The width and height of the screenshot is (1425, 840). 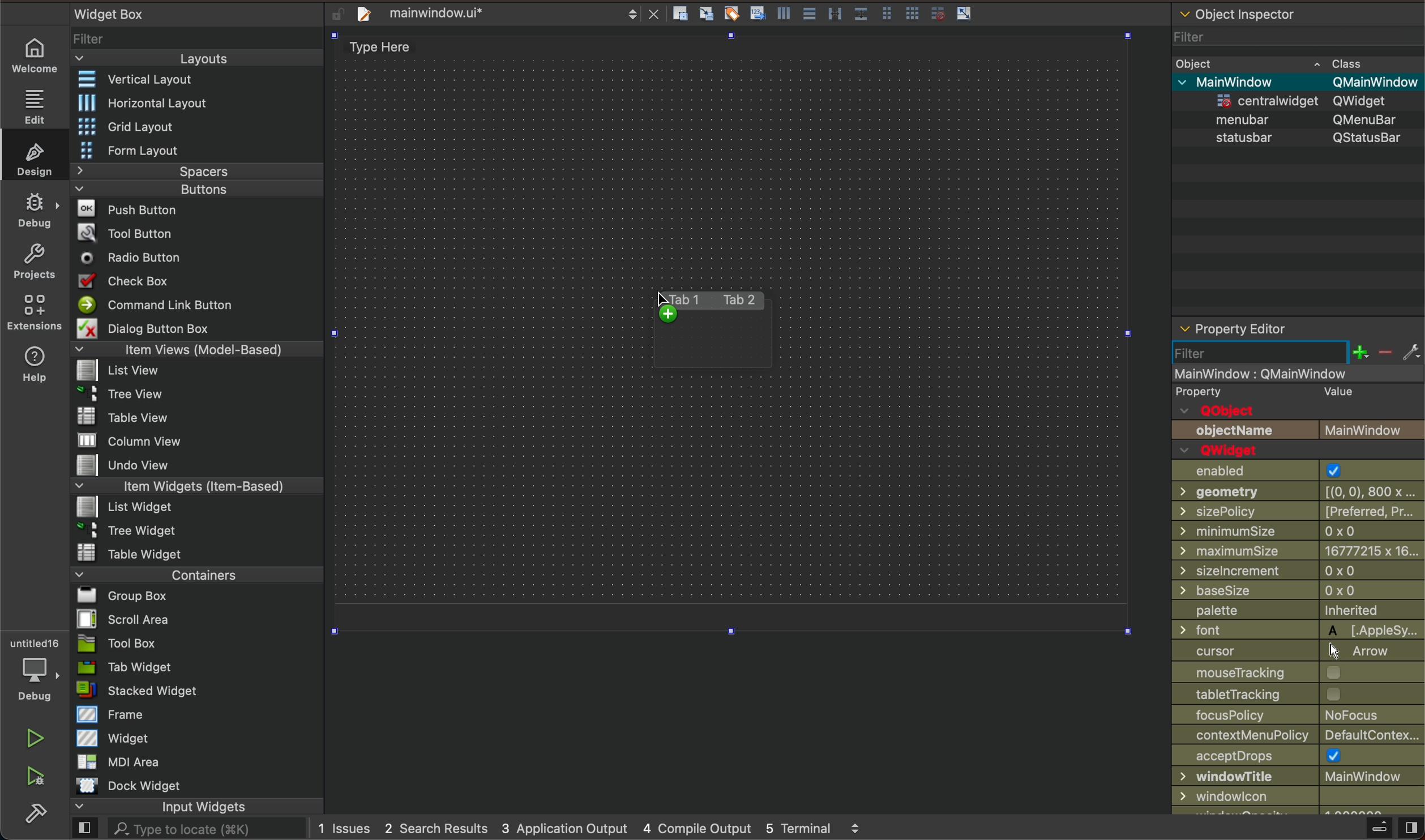 I want to click on menubar QMenuBar, so click(x=1295, y=118).